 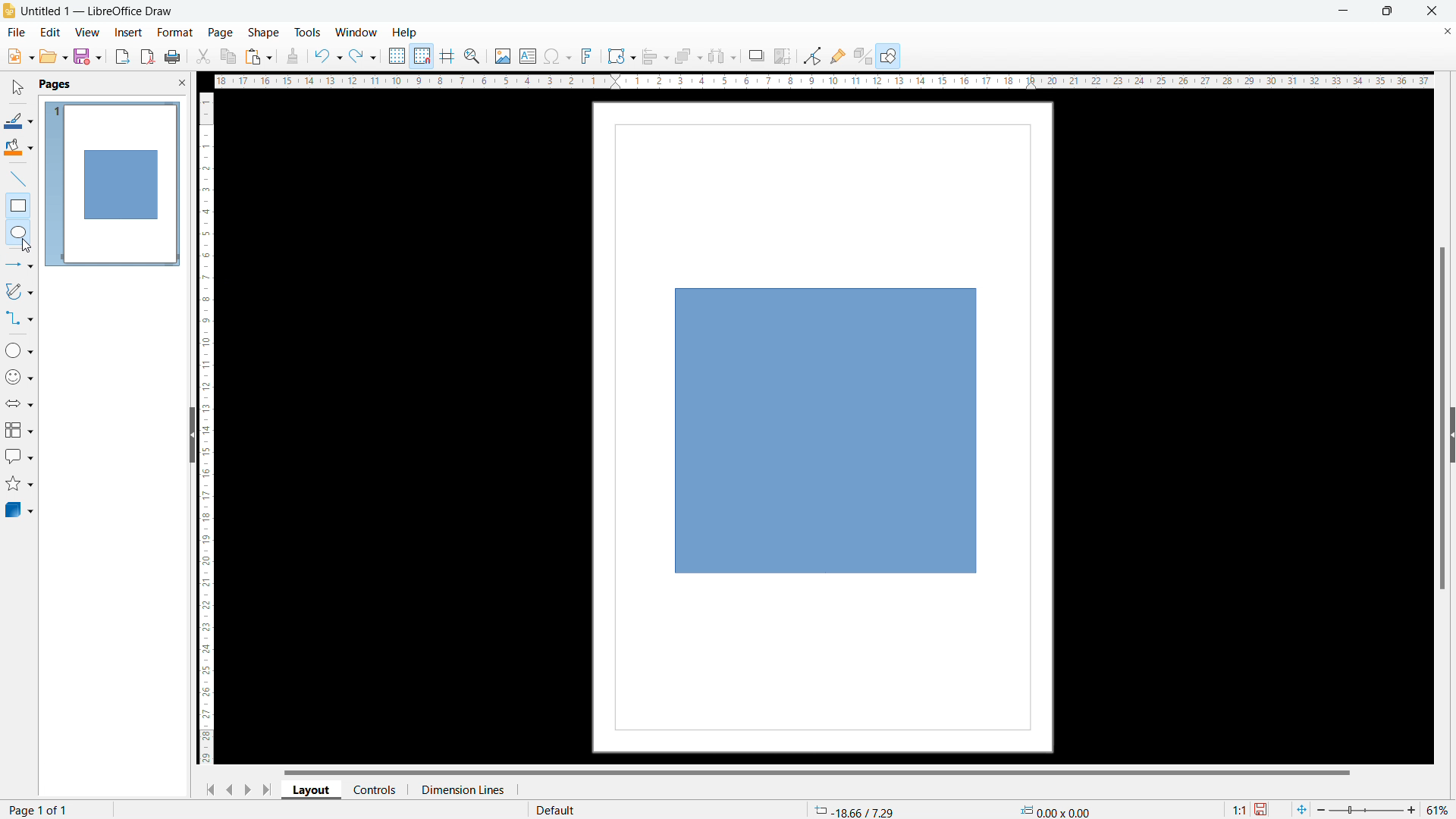 I want to click on page 1, so click(x=111, y=183).